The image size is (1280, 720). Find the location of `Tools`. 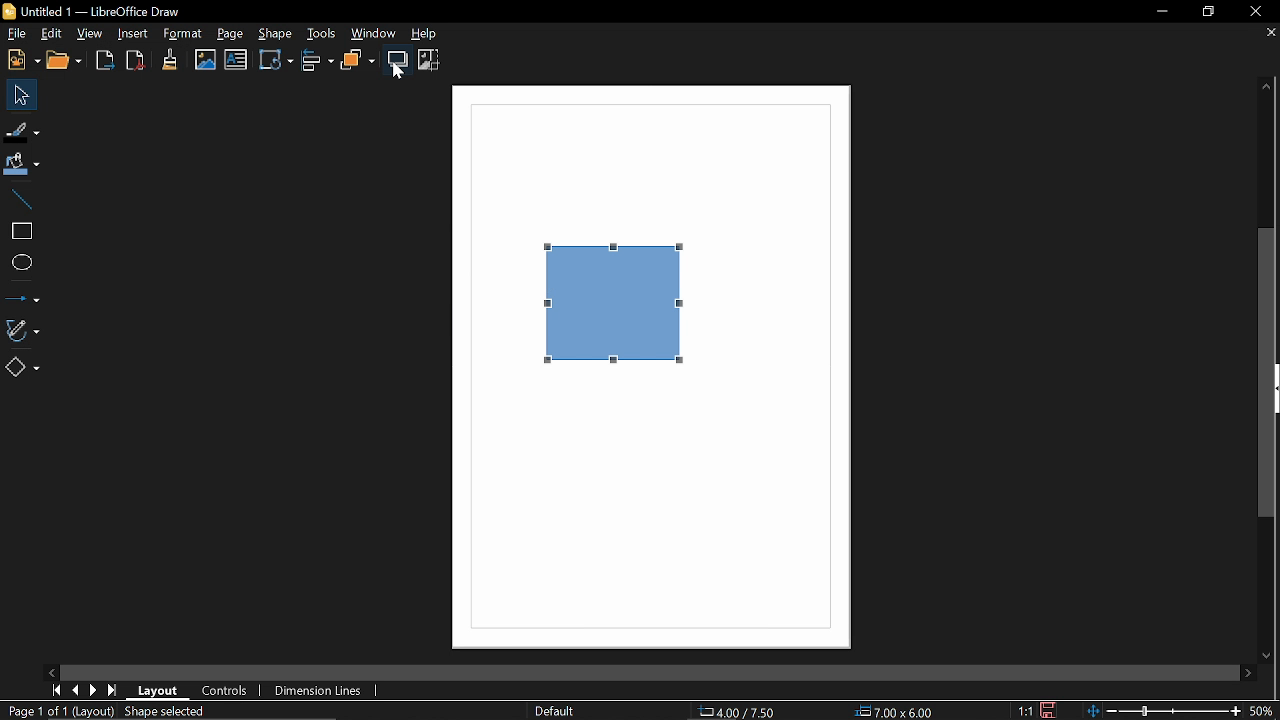

Tools is located at coordinates (322, 33).